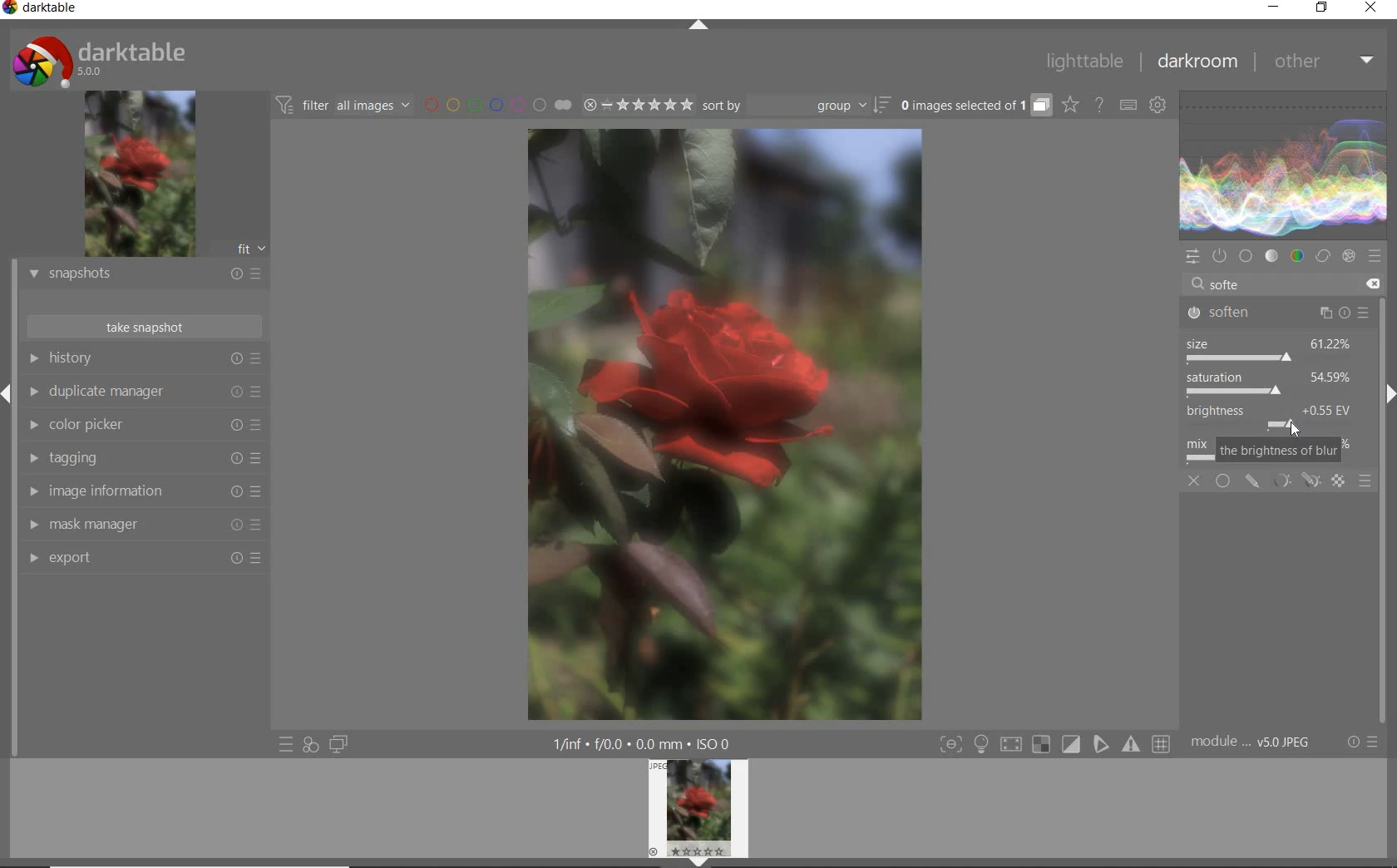  Describe the element at coordinates (342, 105) in the screenshot. I see `filter all images by module order` at that location.